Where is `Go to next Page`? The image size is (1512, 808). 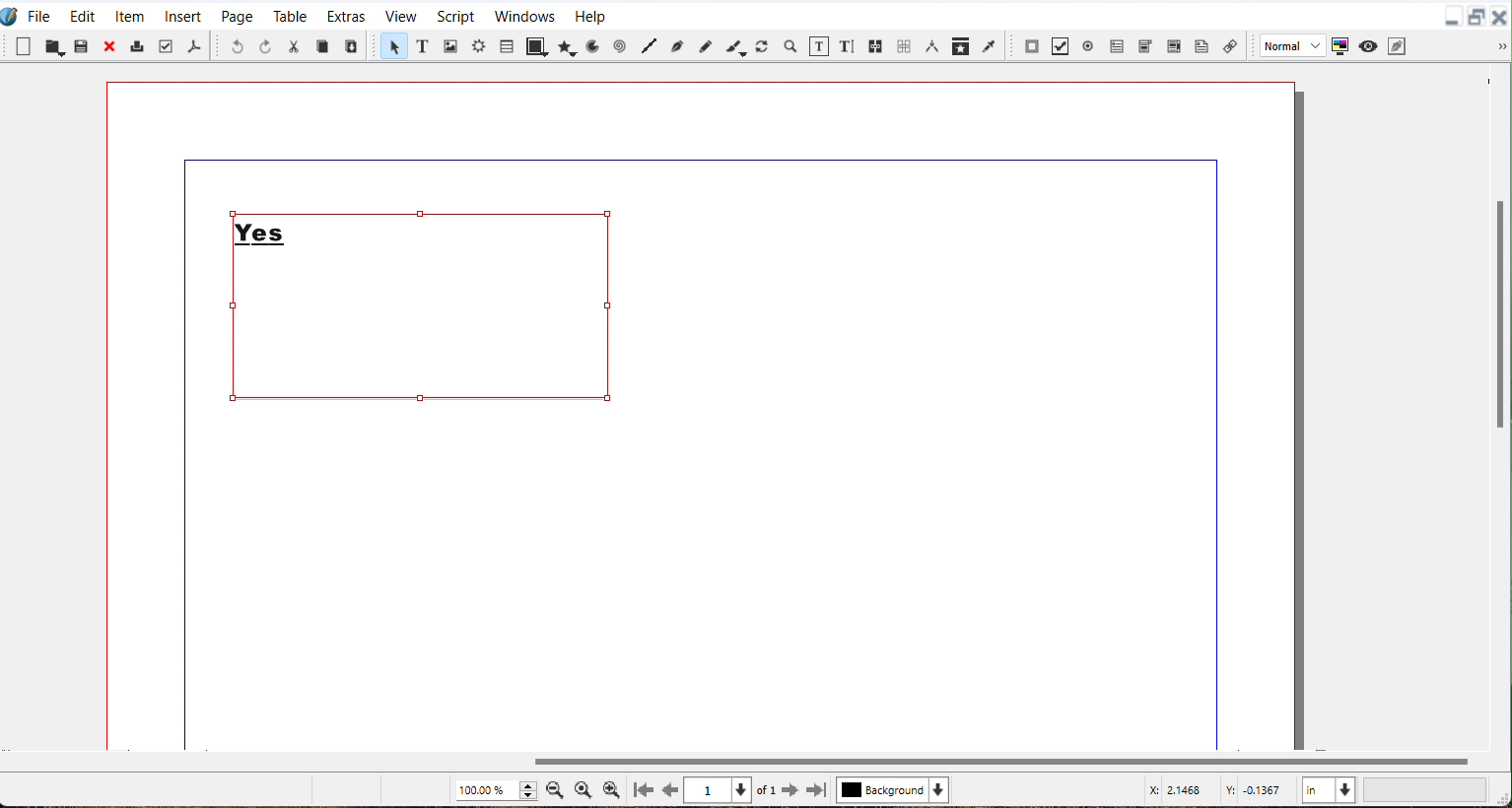 Go to next Page is located at coordinates (790, 791).